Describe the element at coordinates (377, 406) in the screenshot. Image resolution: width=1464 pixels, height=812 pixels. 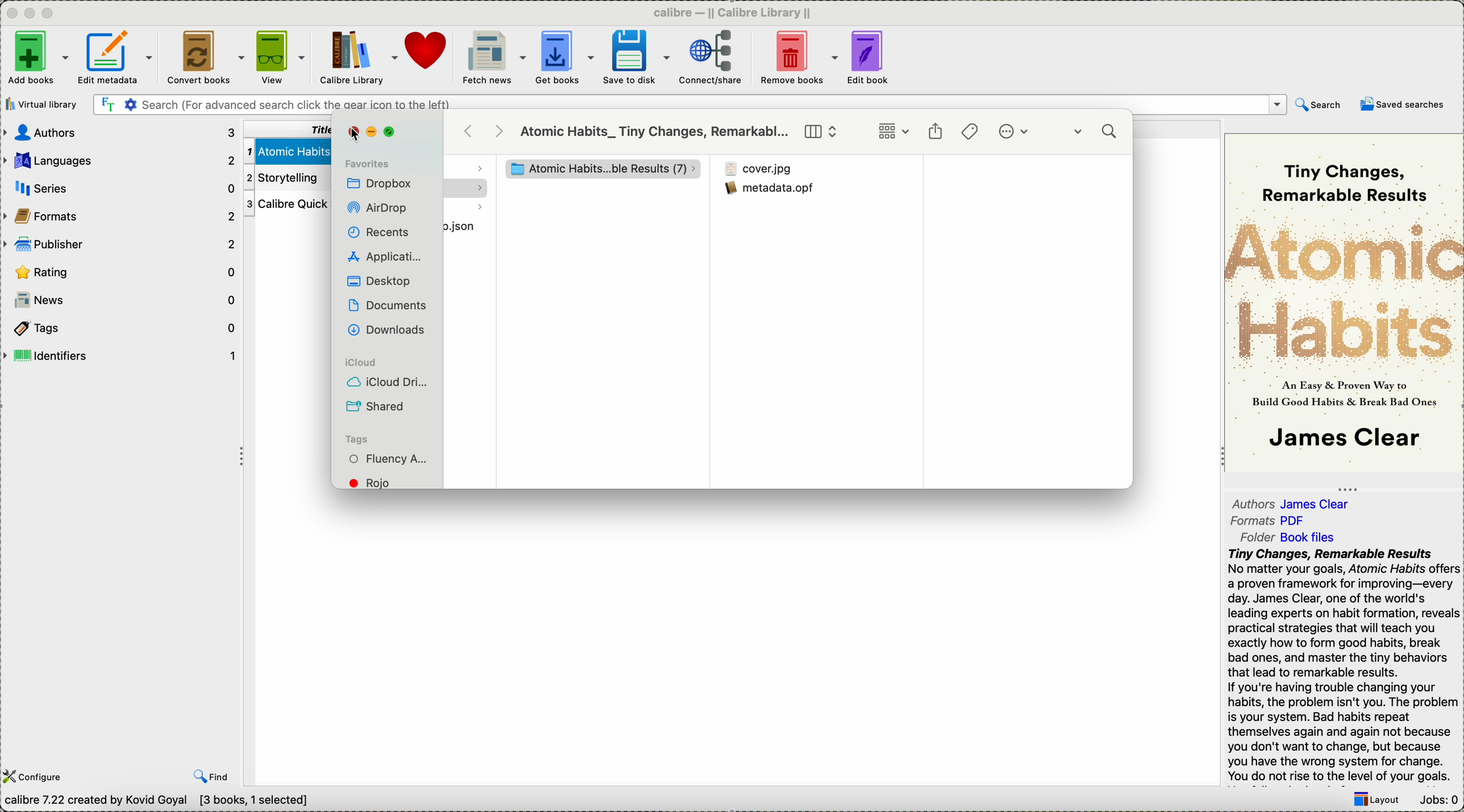
I see `shared` at that location.